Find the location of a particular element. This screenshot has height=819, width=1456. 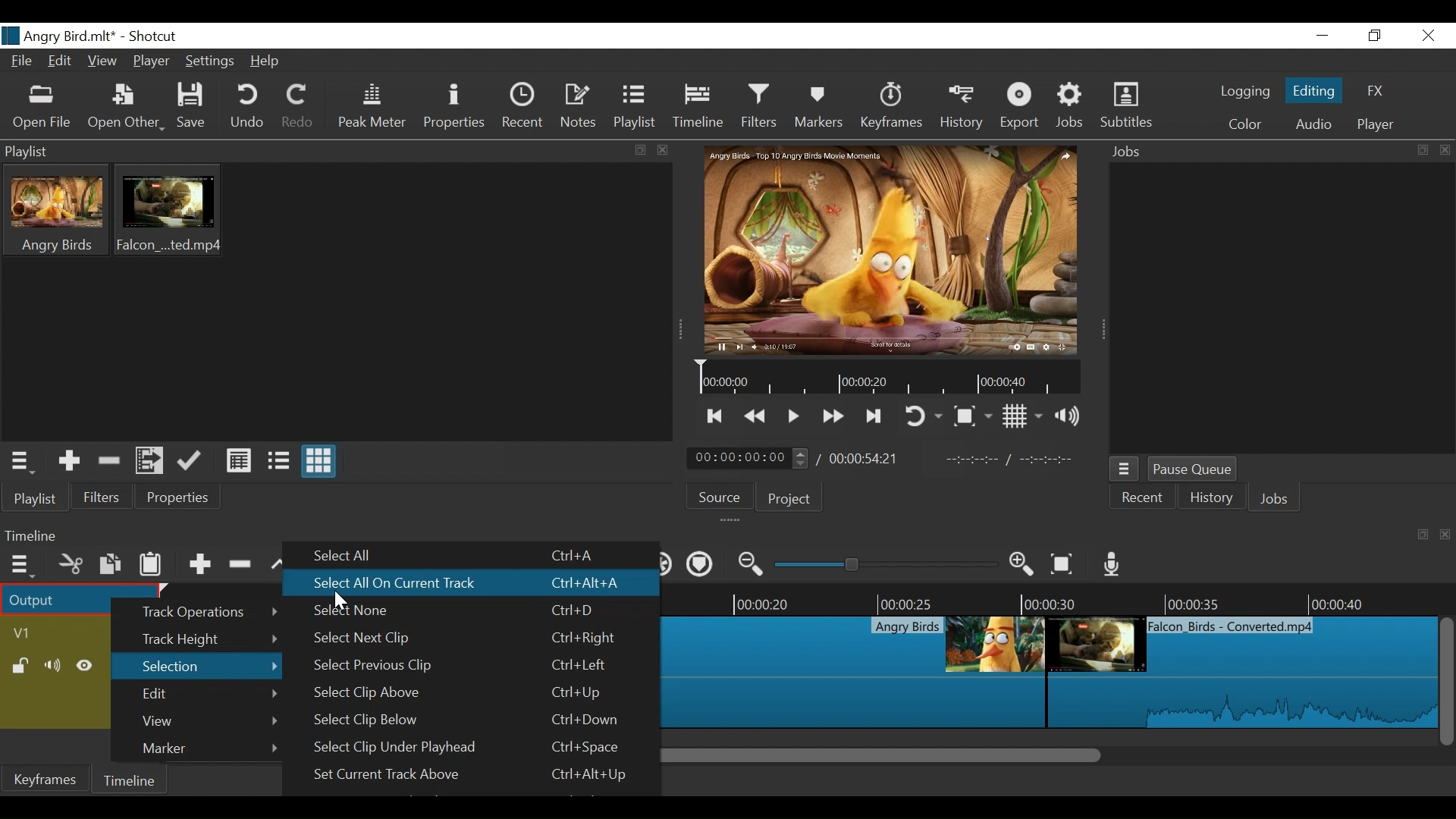

Ripple markers is located at coordinates (698, 564).